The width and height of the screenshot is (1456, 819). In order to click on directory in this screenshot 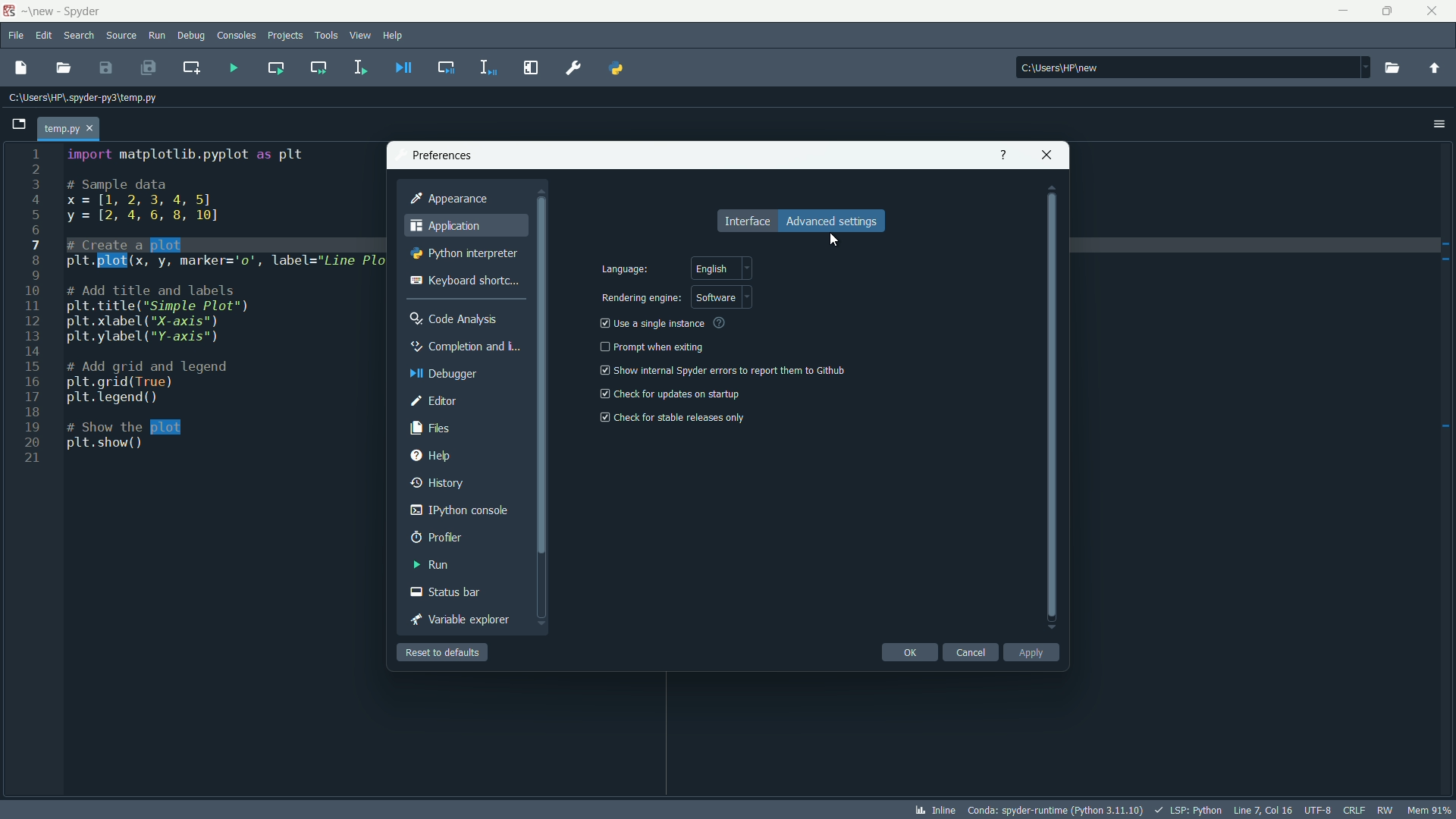, I will do `click(1193, 67)`.